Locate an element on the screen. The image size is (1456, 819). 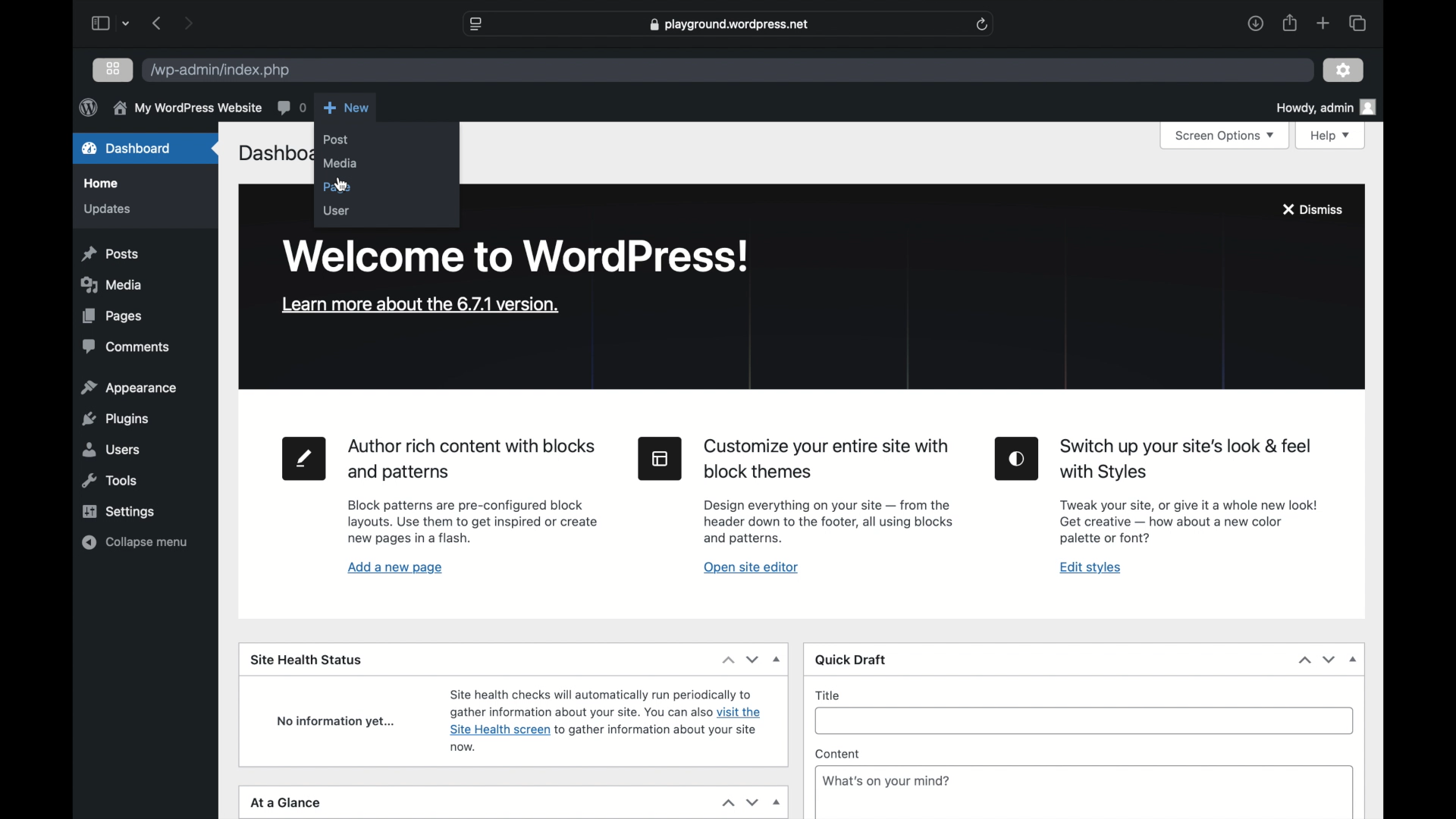
info is located at coordinates (606, 719).